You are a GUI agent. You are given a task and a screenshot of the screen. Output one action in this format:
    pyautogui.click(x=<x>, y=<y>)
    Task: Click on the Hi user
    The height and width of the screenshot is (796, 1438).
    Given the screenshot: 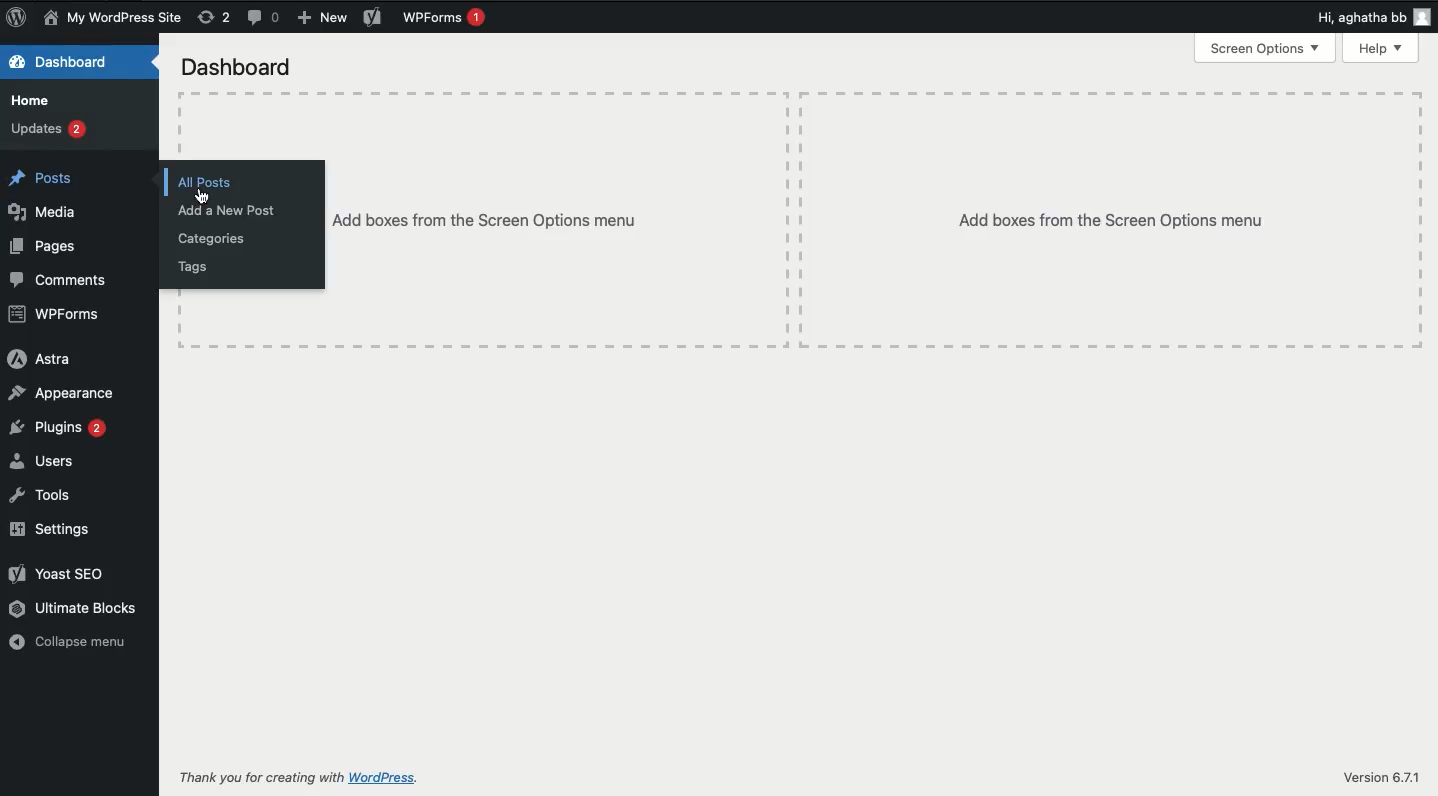 What is the action you would take?
    pyautogui.click(x=1373, y=17)
    